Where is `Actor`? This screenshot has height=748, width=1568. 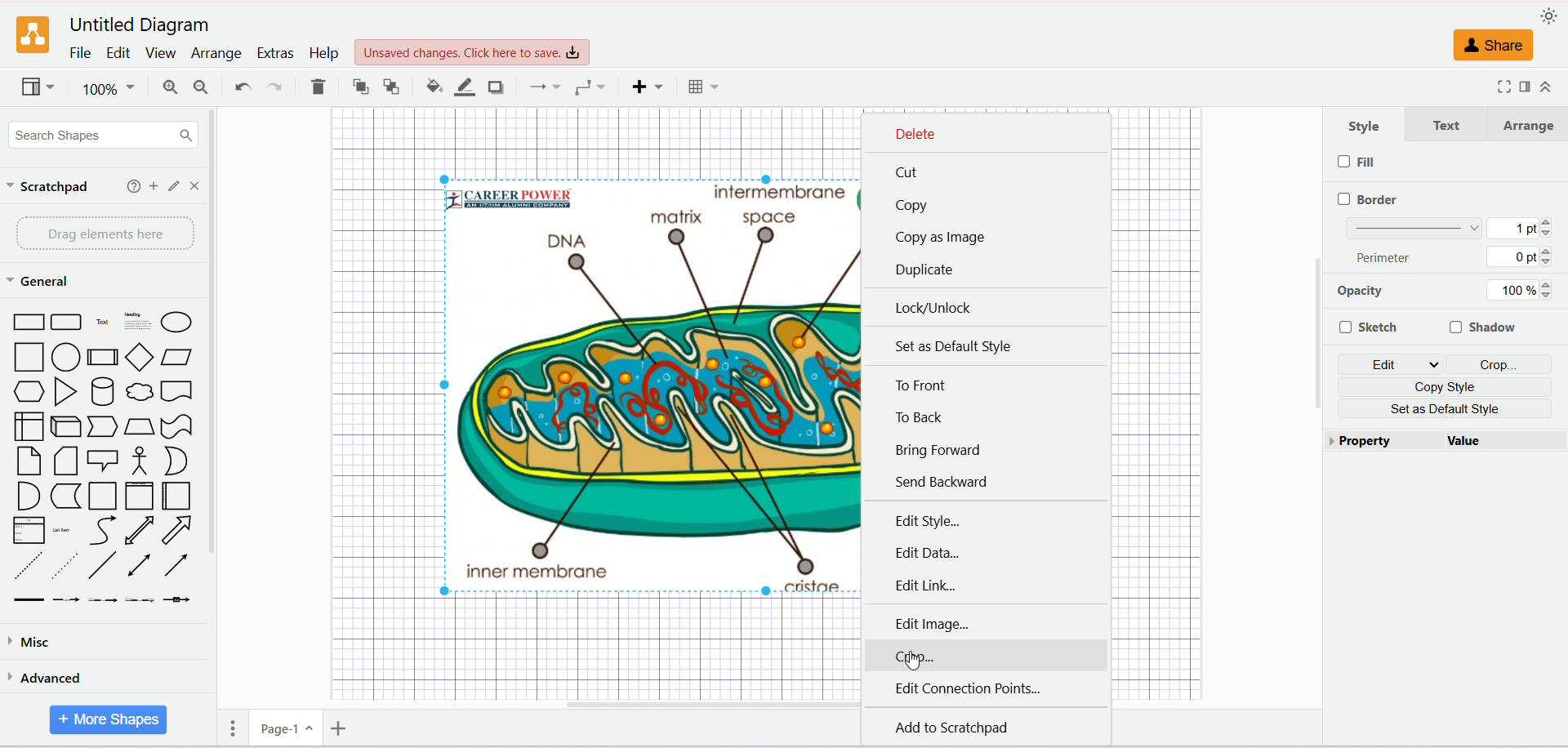 Actor is located at coordinates (138, 461).